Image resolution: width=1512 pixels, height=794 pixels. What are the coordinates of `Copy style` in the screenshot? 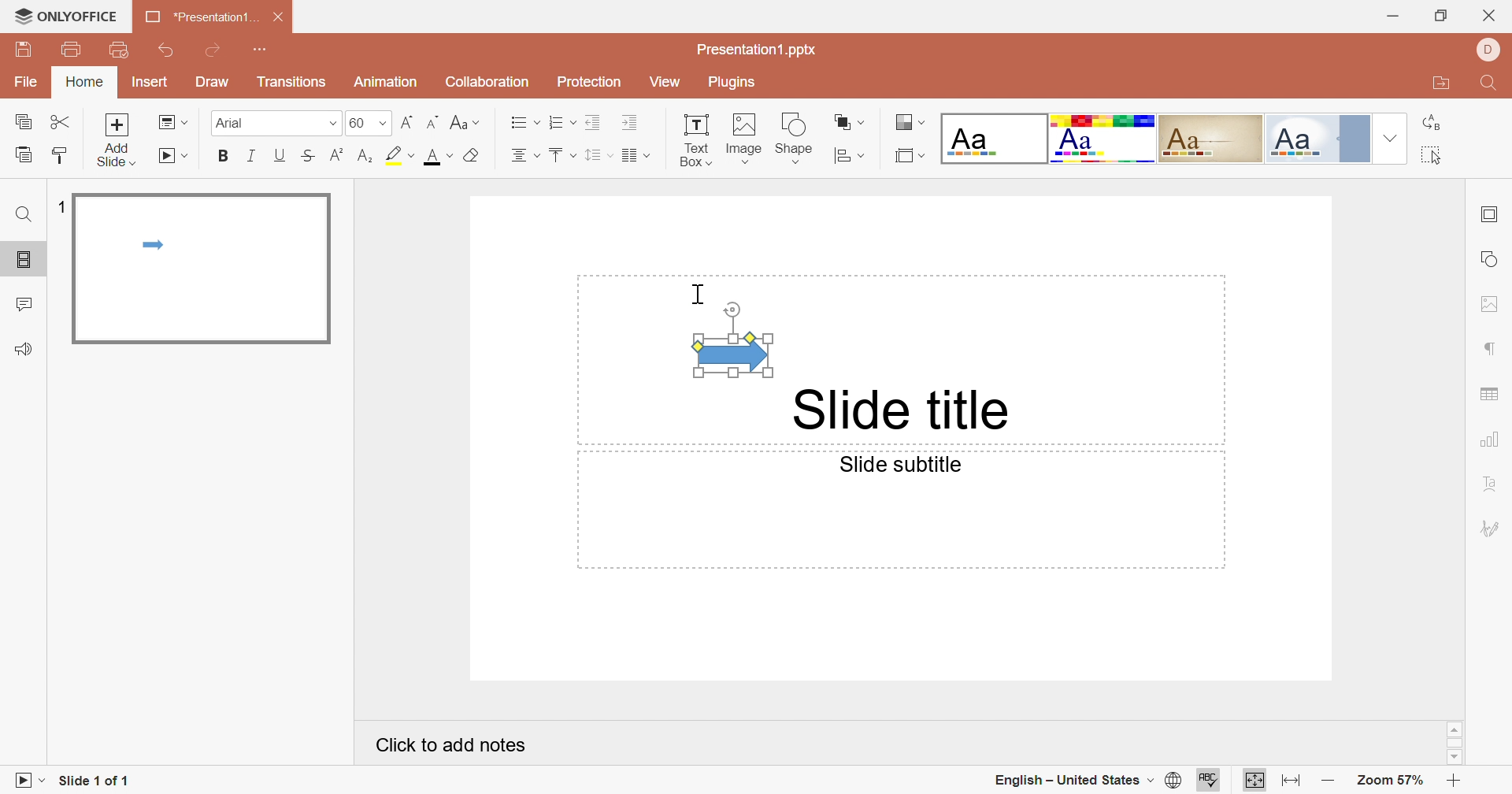 It's located at (60, 158).